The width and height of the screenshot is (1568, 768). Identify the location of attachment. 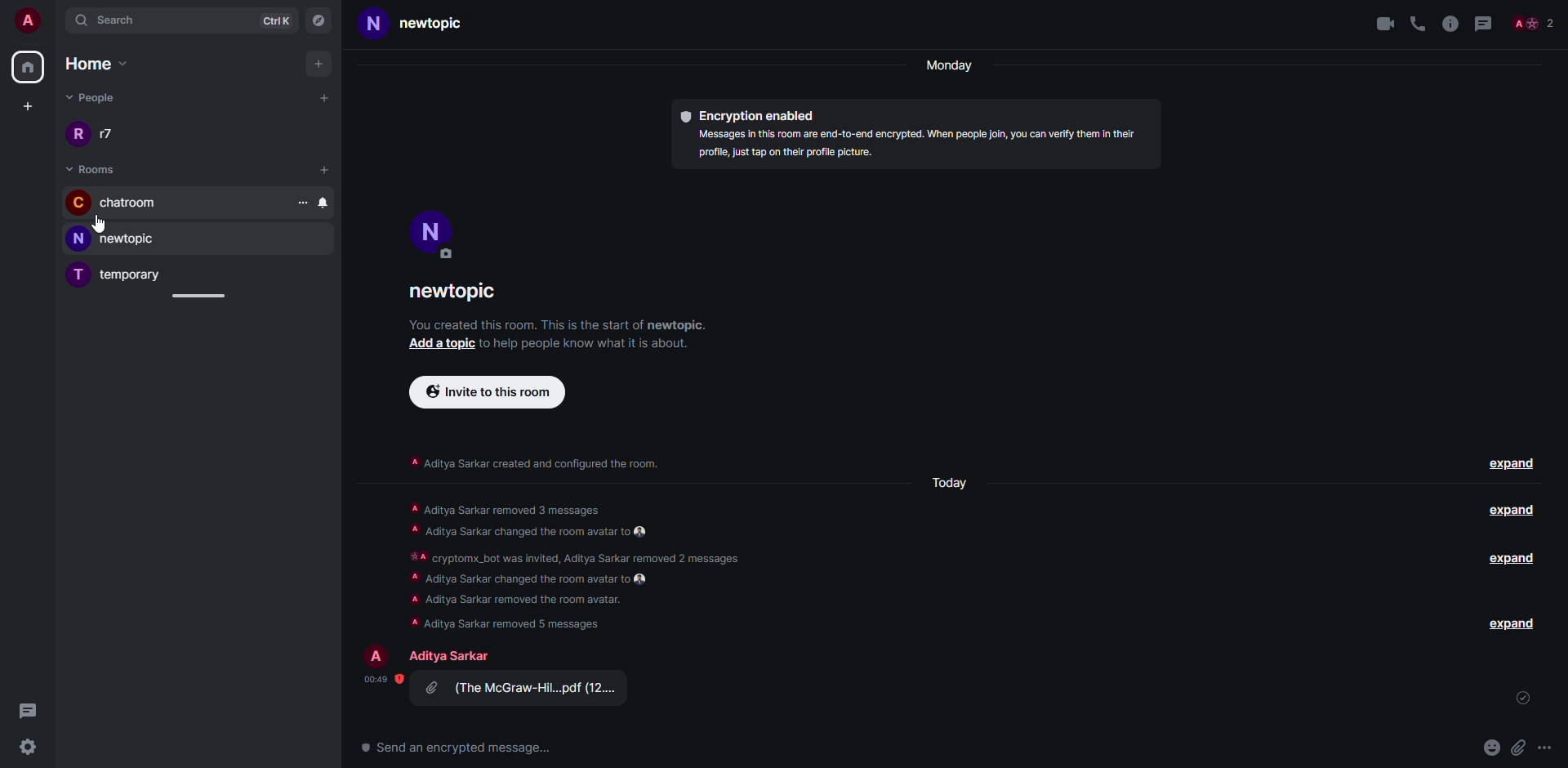
(528, 687).